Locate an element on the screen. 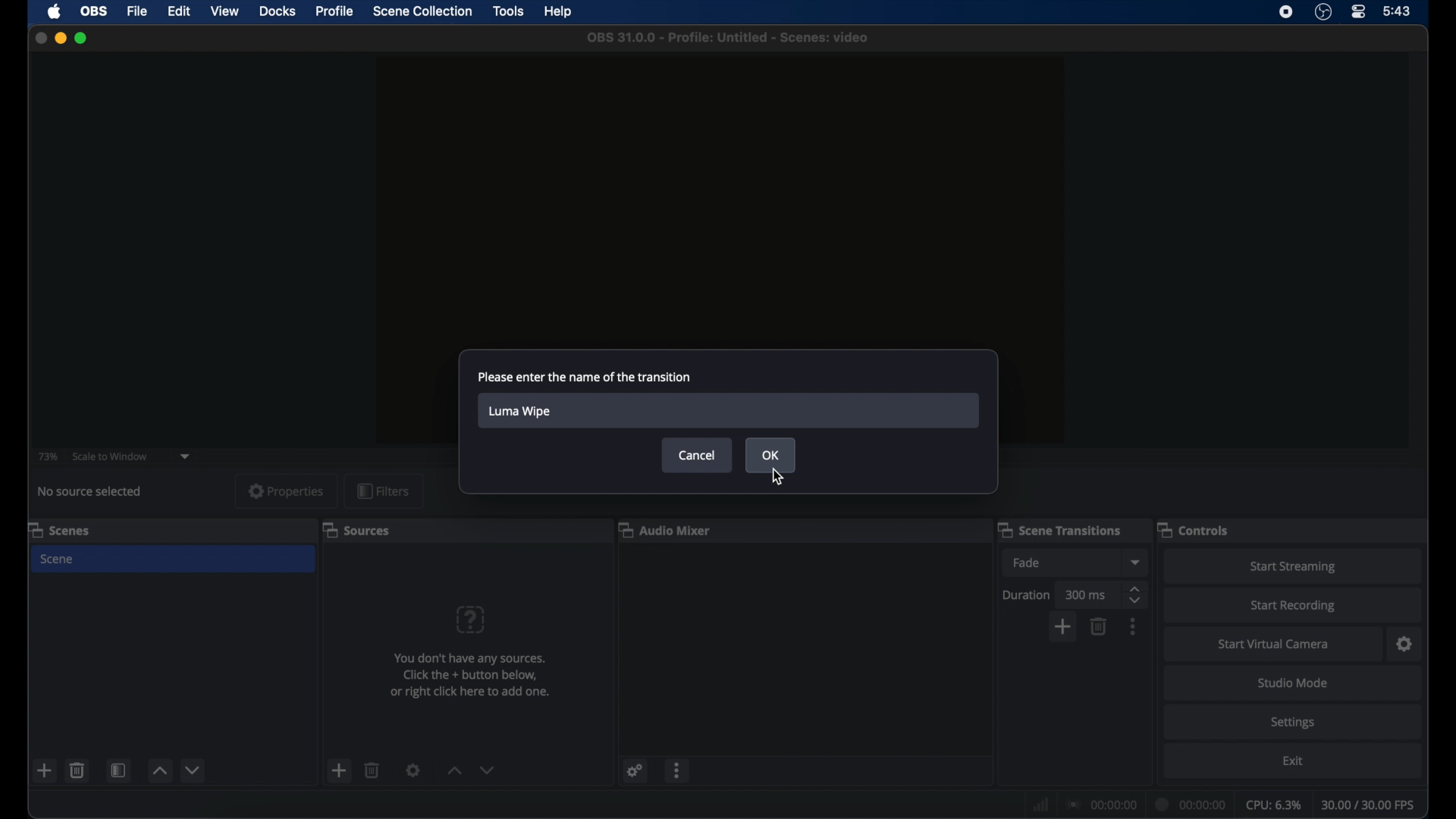 The width and height of the screenshot is (1456, 819). view is located at coordinates (224, 11).